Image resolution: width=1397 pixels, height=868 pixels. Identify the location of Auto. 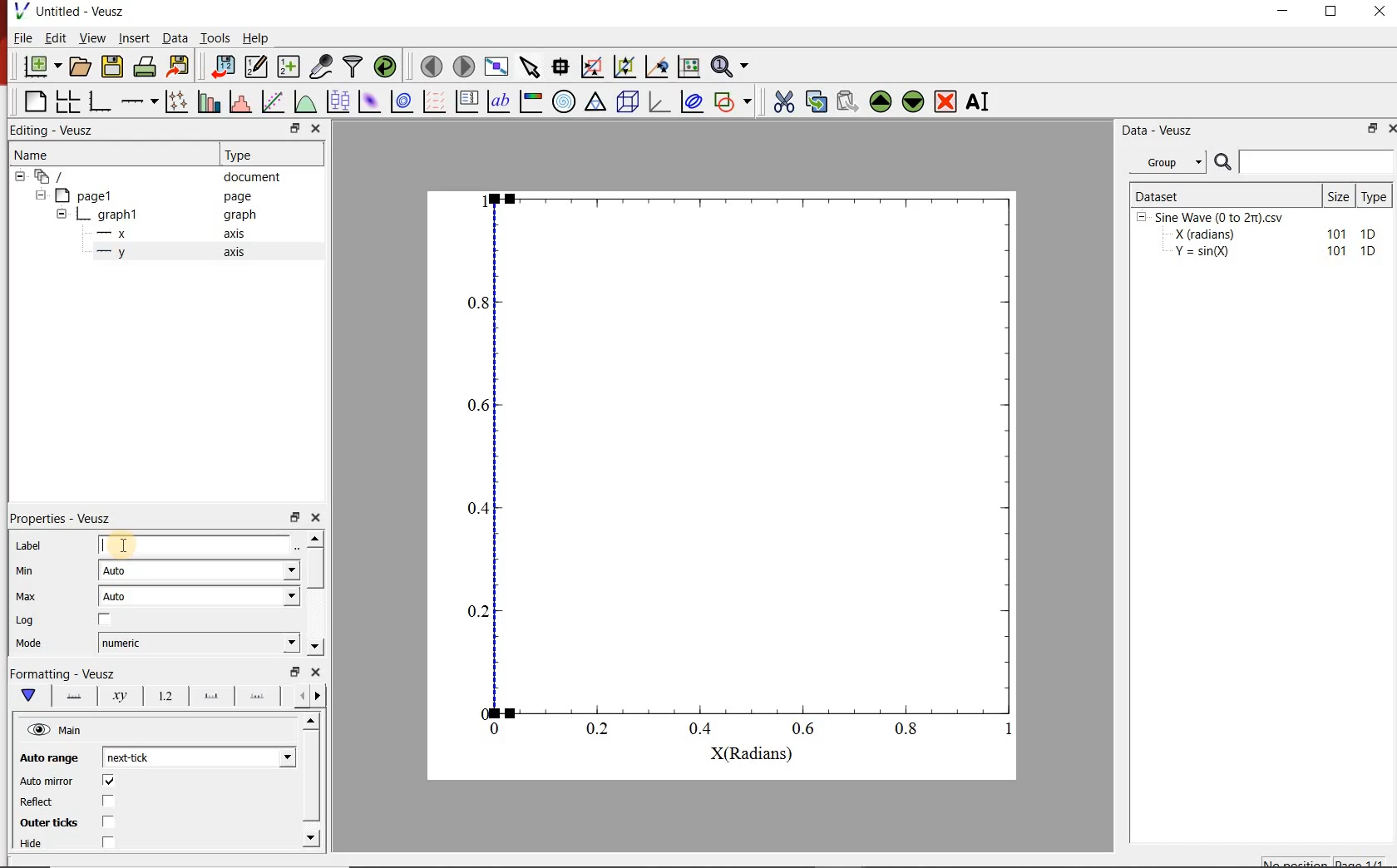
(199, 596).